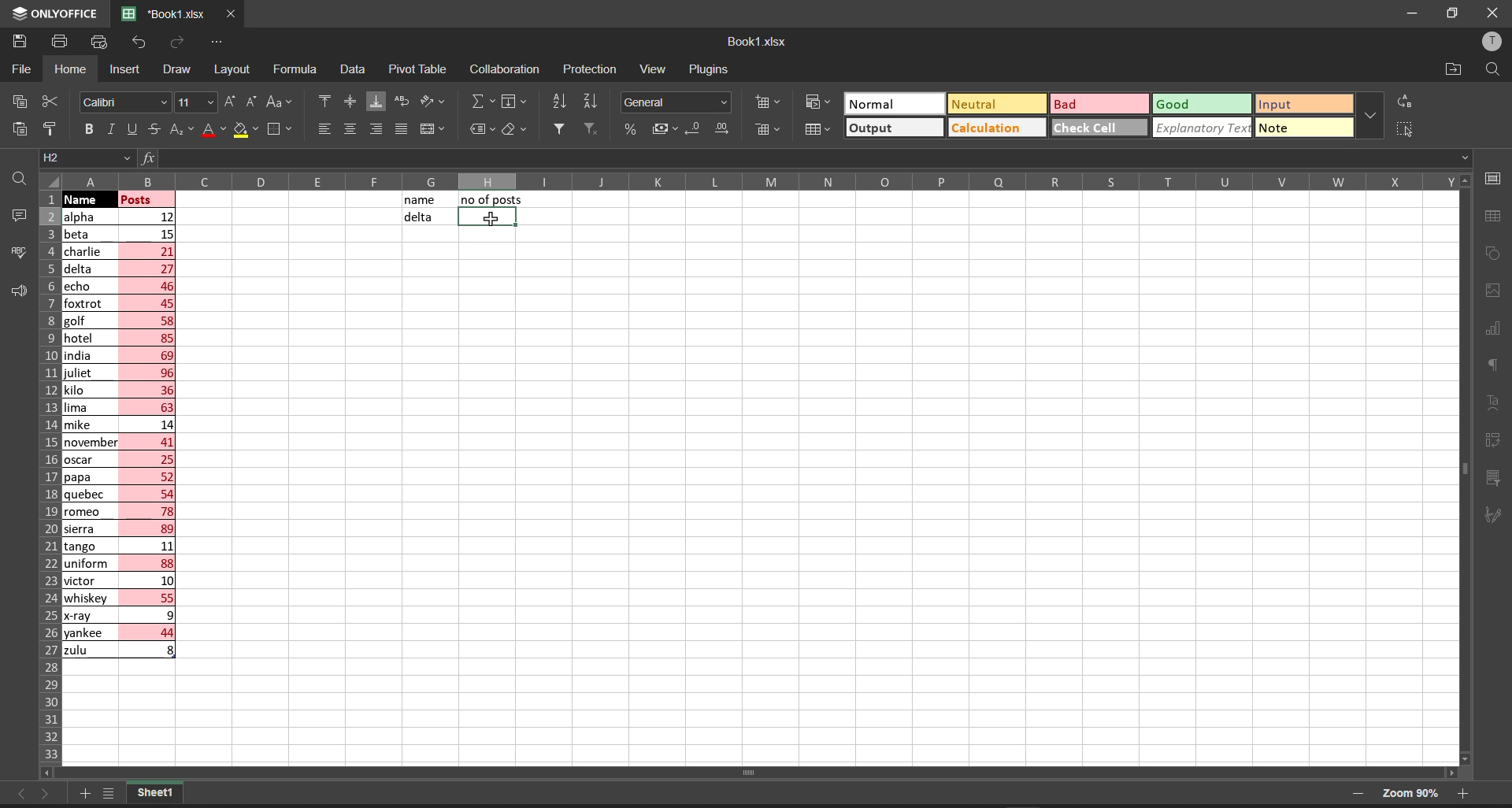  I want to click on close workbook, so click(232, 14).